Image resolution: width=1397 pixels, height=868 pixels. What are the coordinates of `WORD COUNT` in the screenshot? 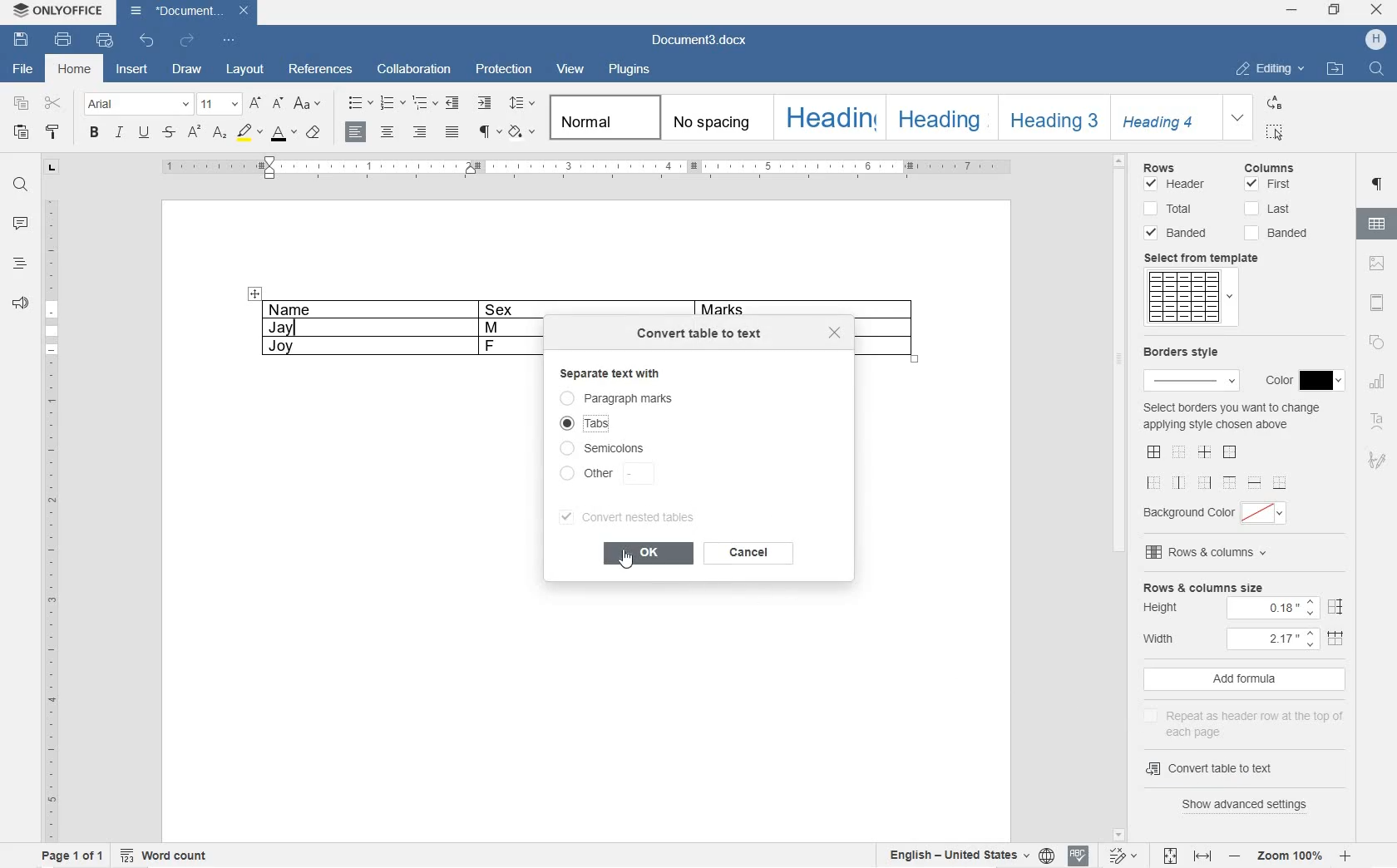 It's located at (164, 856).